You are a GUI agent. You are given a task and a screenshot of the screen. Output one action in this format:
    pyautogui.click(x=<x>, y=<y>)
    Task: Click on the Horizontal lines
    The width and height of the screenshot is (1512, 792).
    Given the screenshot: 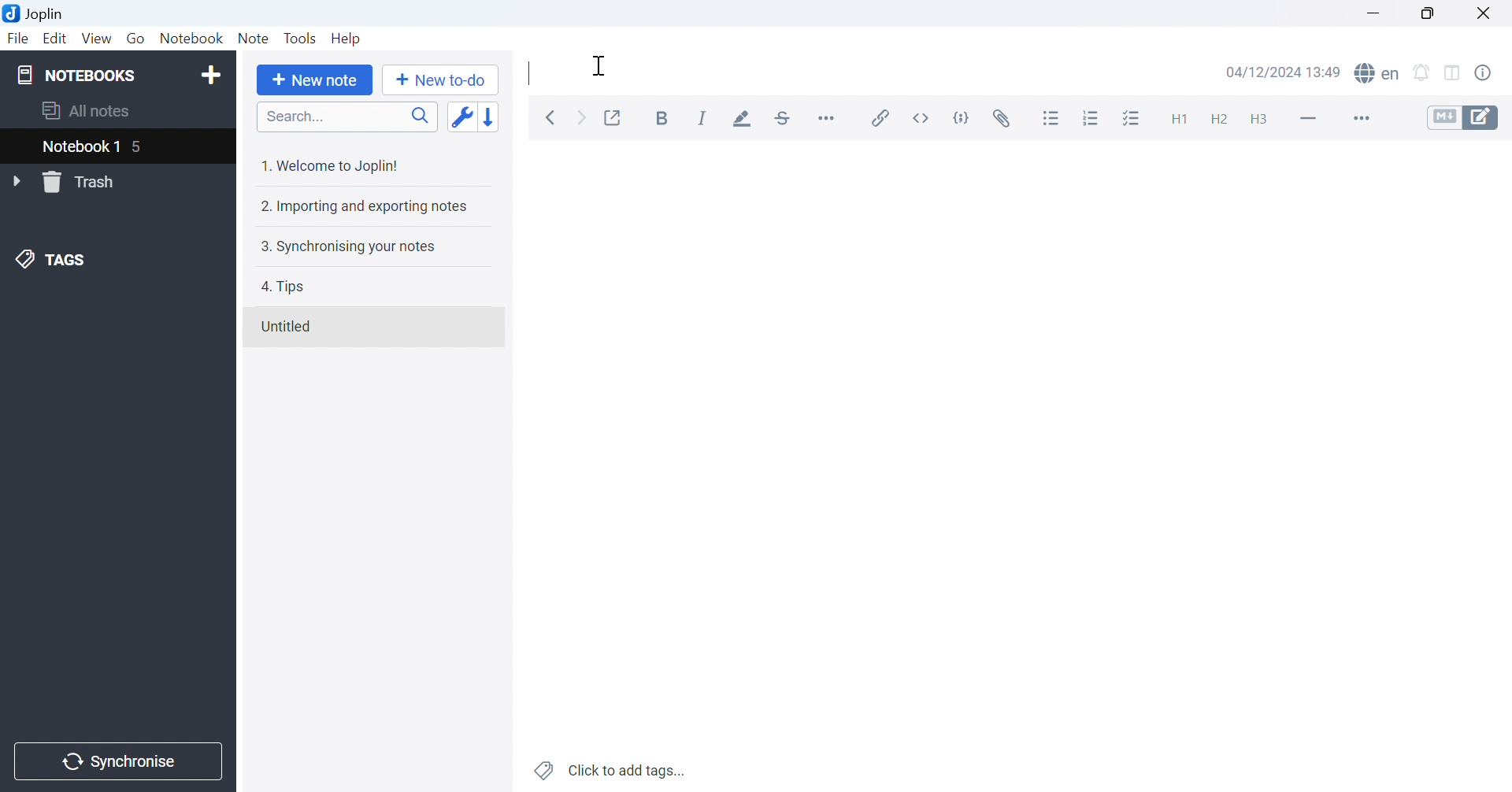 What is the action you would take?
    pyautogui.click(x=1308, y=117)
    